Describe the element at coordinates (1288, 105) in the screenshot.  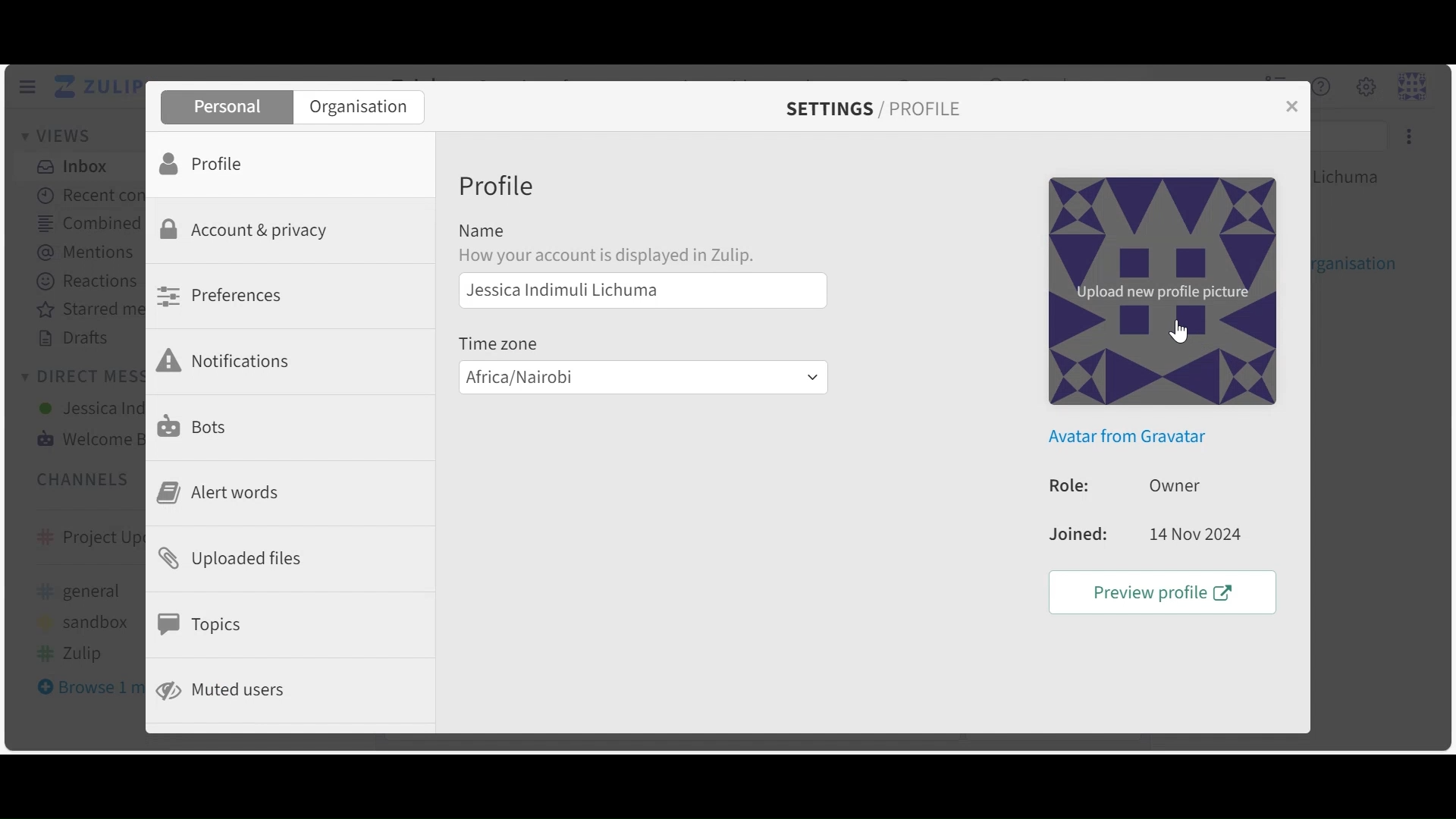
I see `Close` at that location.